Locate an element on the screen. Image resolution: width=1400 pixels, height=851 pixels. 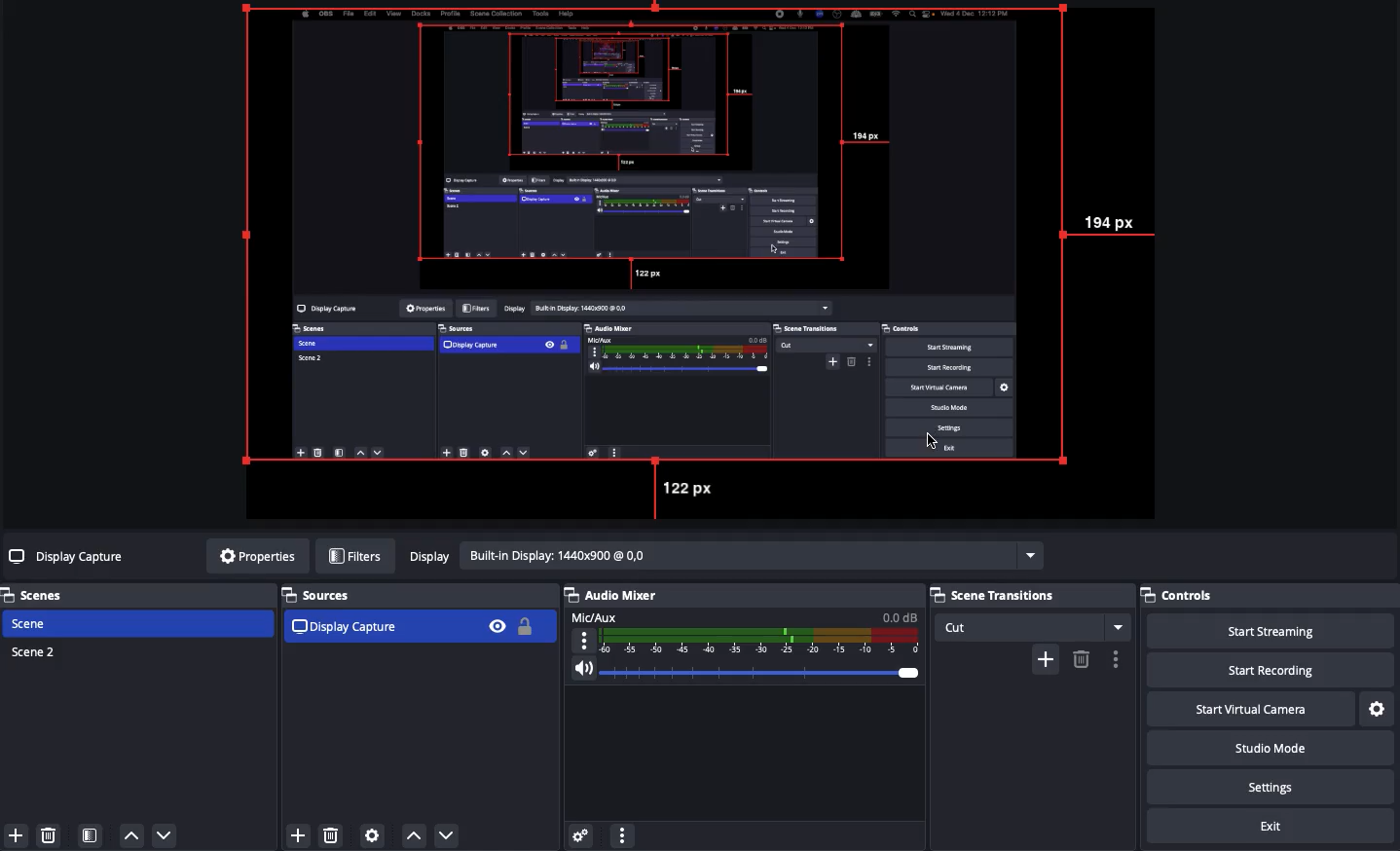
Down is located at coordinates (448, 832).